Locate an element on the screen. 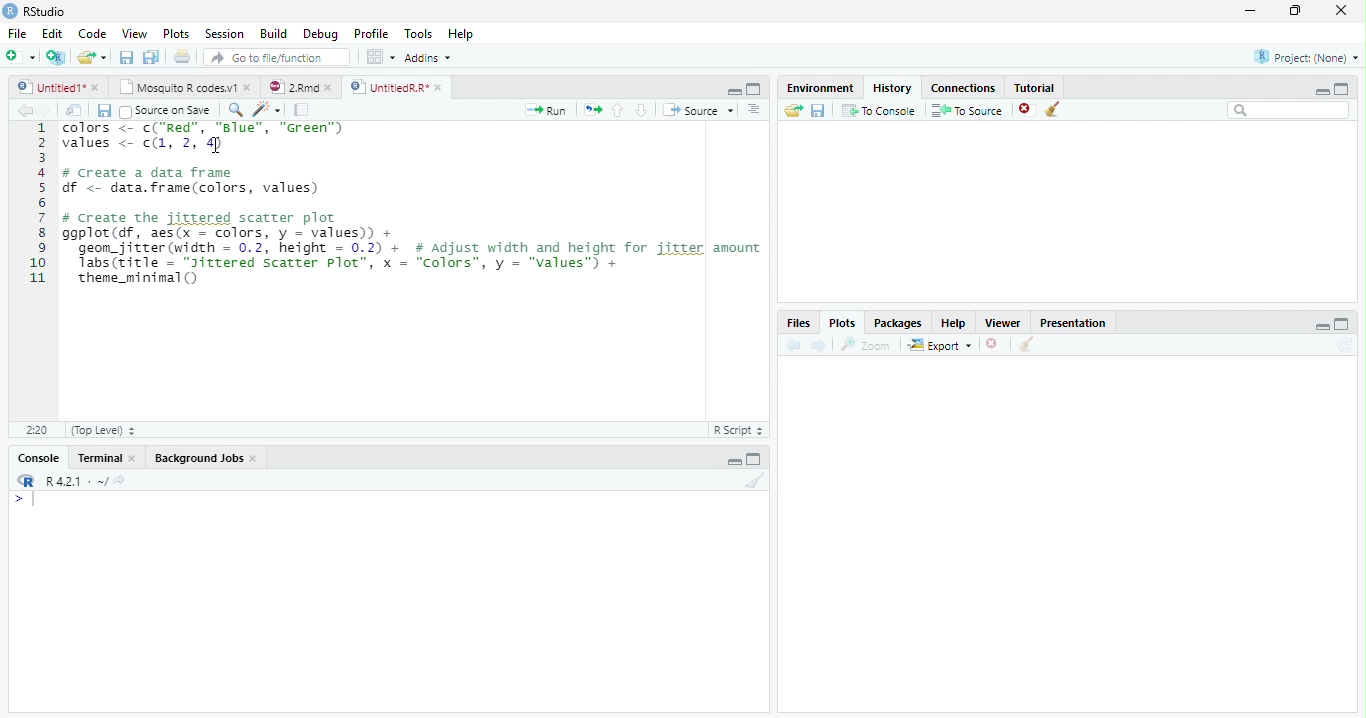  Build is located at coordinates (272, 33).